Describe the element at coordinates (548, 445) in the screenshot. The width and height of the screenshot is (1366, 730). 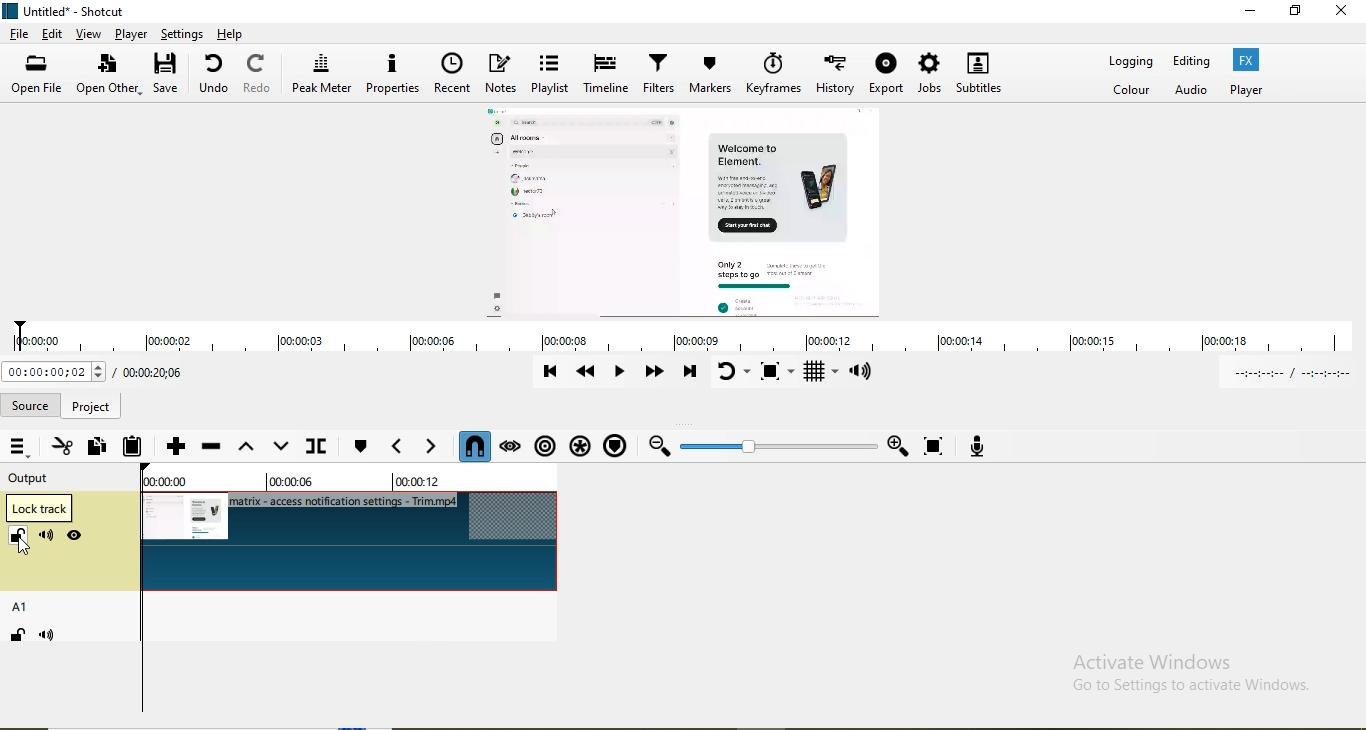
I see `Ripple` at that location.